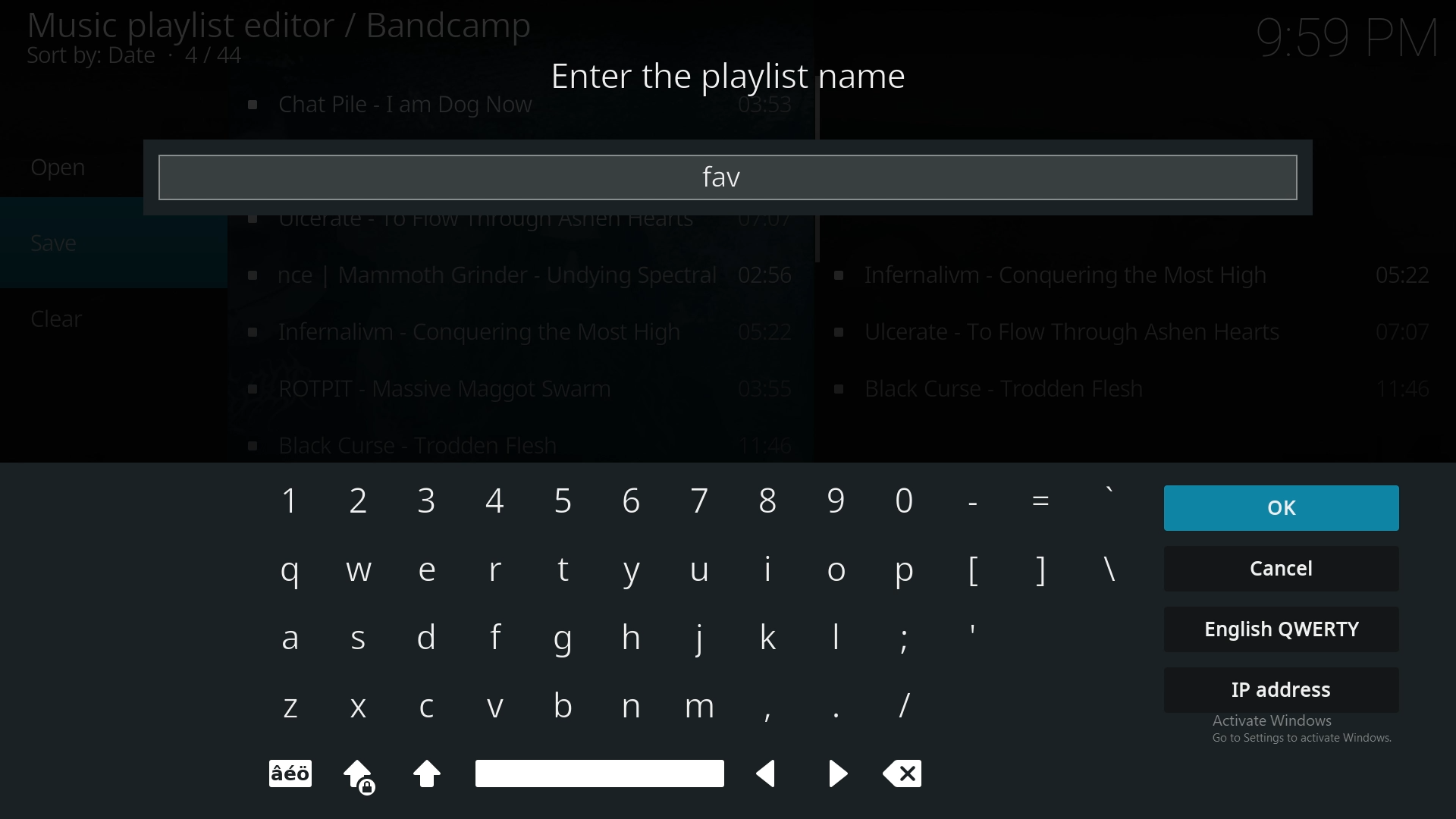  I want to click on Right Arrow, so click(837, 777).